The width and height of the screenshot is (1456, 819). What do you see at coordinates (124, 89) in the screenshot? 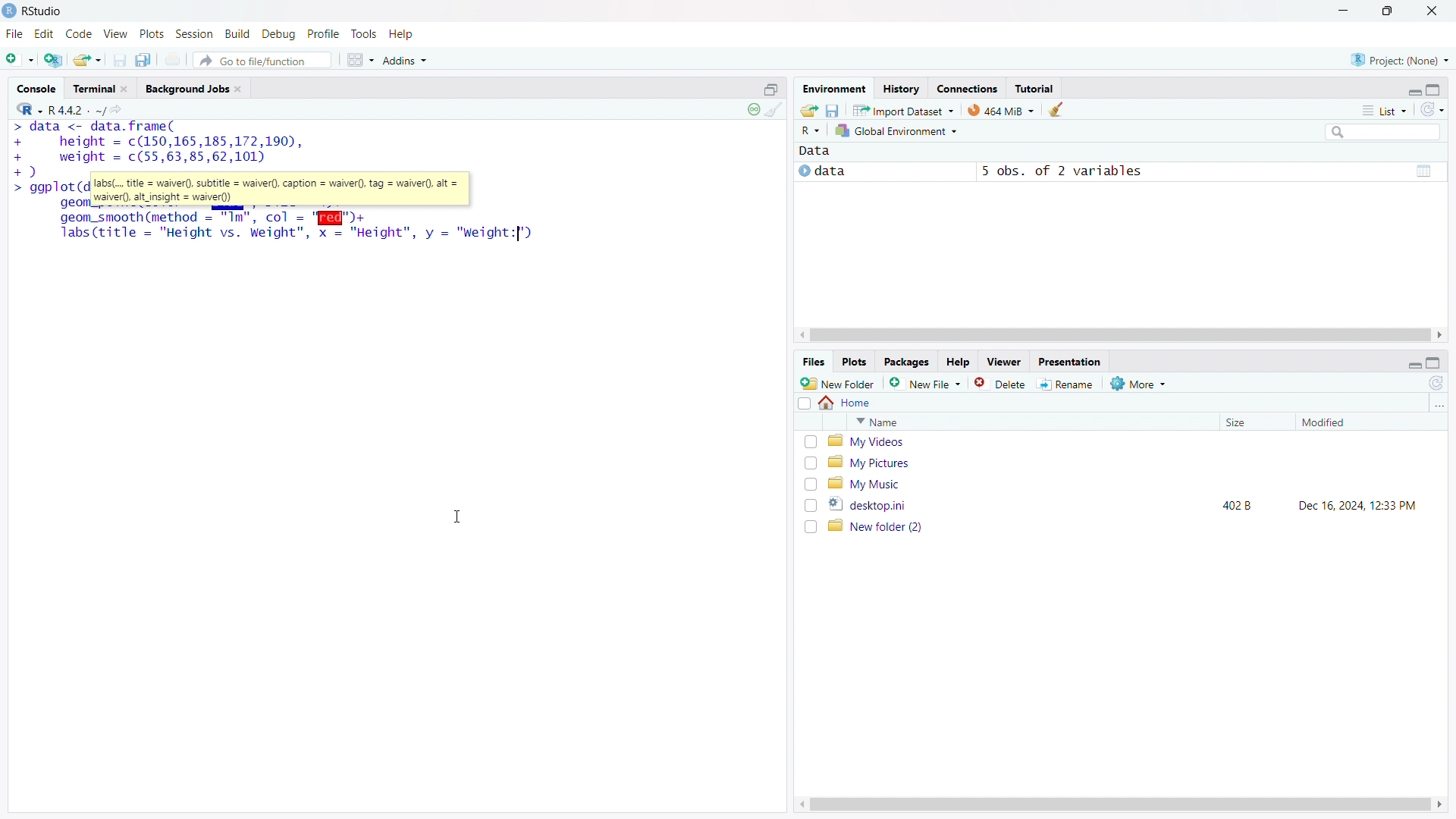
I see `close` at bounding box center [124, 89].